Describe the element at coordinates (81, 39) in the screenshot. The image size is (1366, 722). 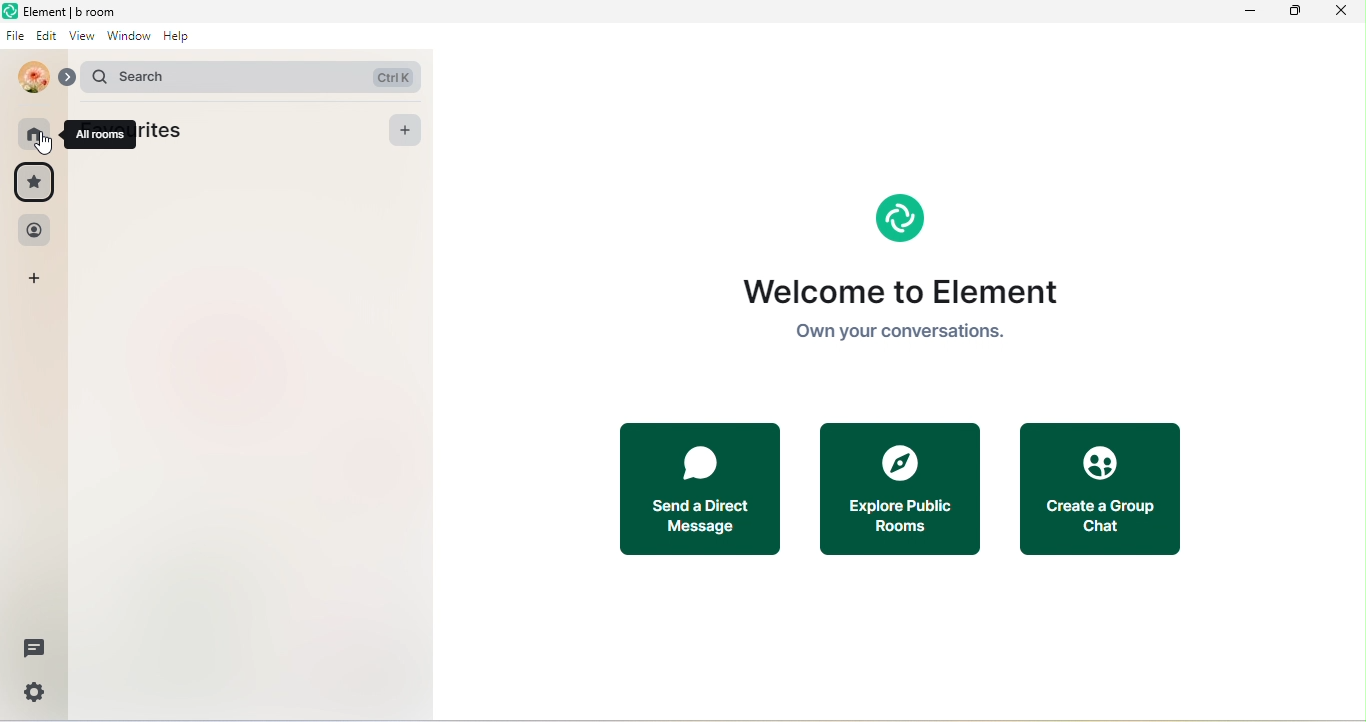
I see `view` at that location.